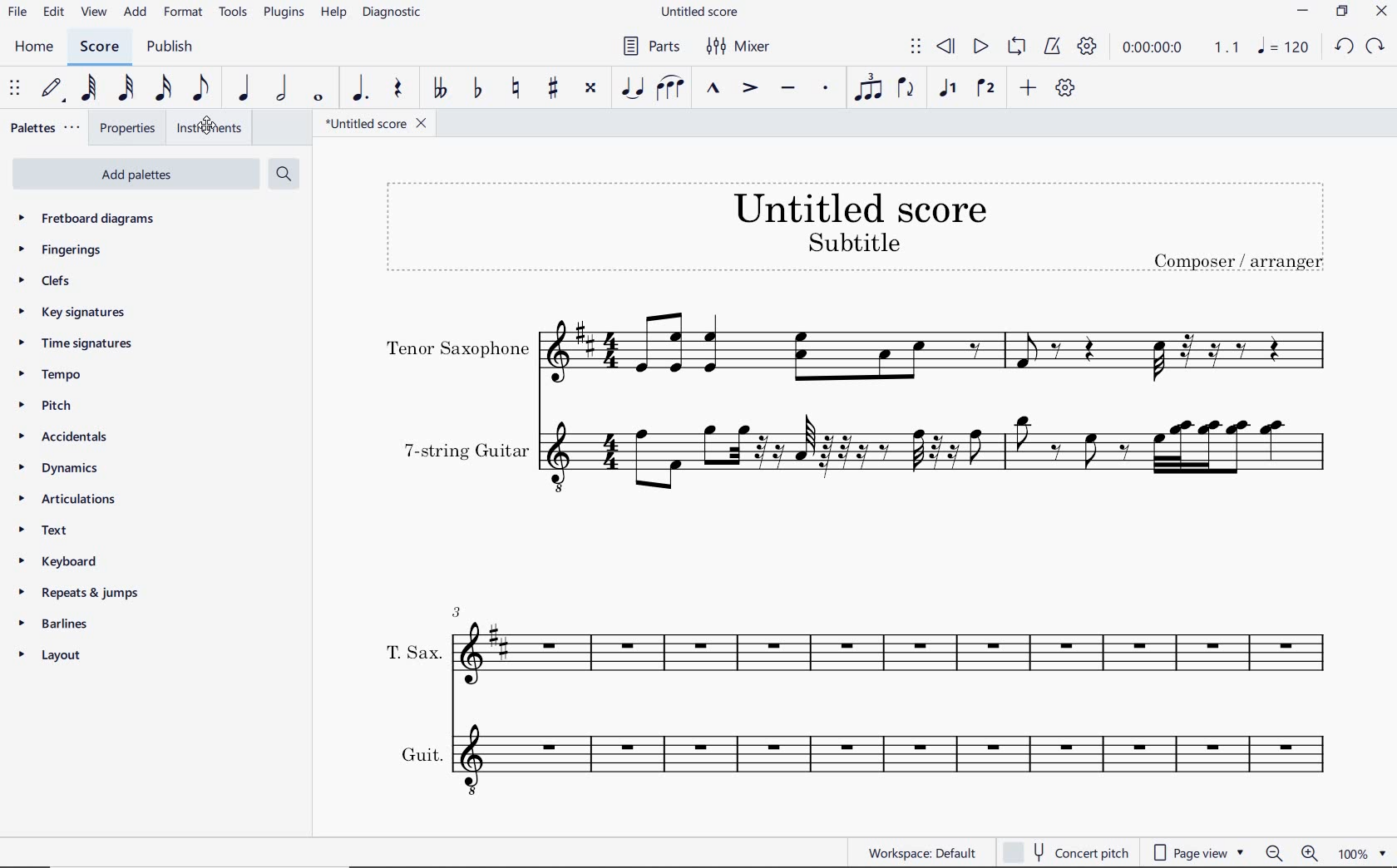 This screenshot has width=1397, height=868. Describe the element at coordinates (392, 12) in the screenshot. I see `DIAGNOSTIC` at that location.